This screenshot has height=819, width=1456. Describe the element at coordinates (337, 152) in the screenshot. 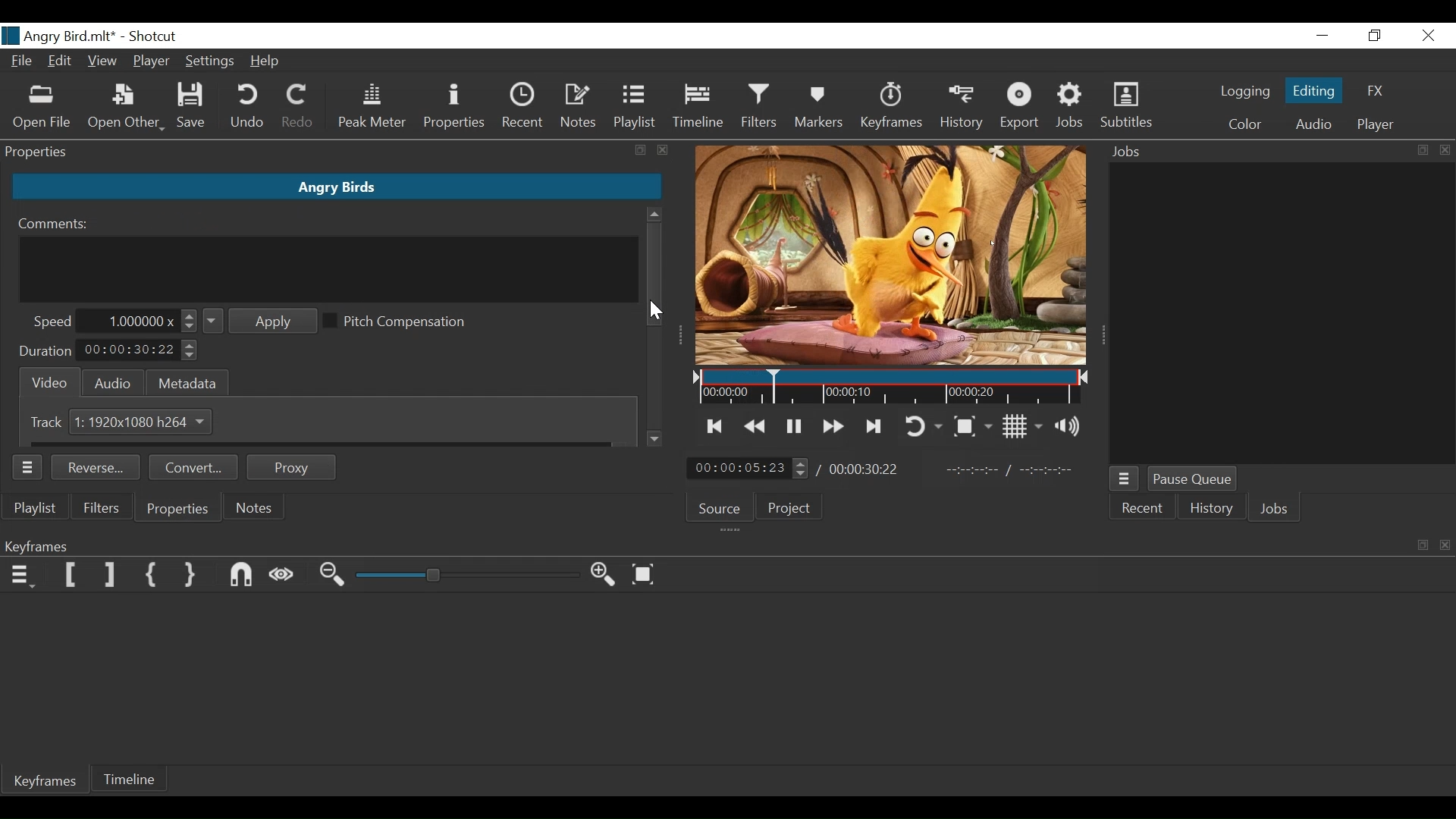

I see `Properties Panel` at that location.